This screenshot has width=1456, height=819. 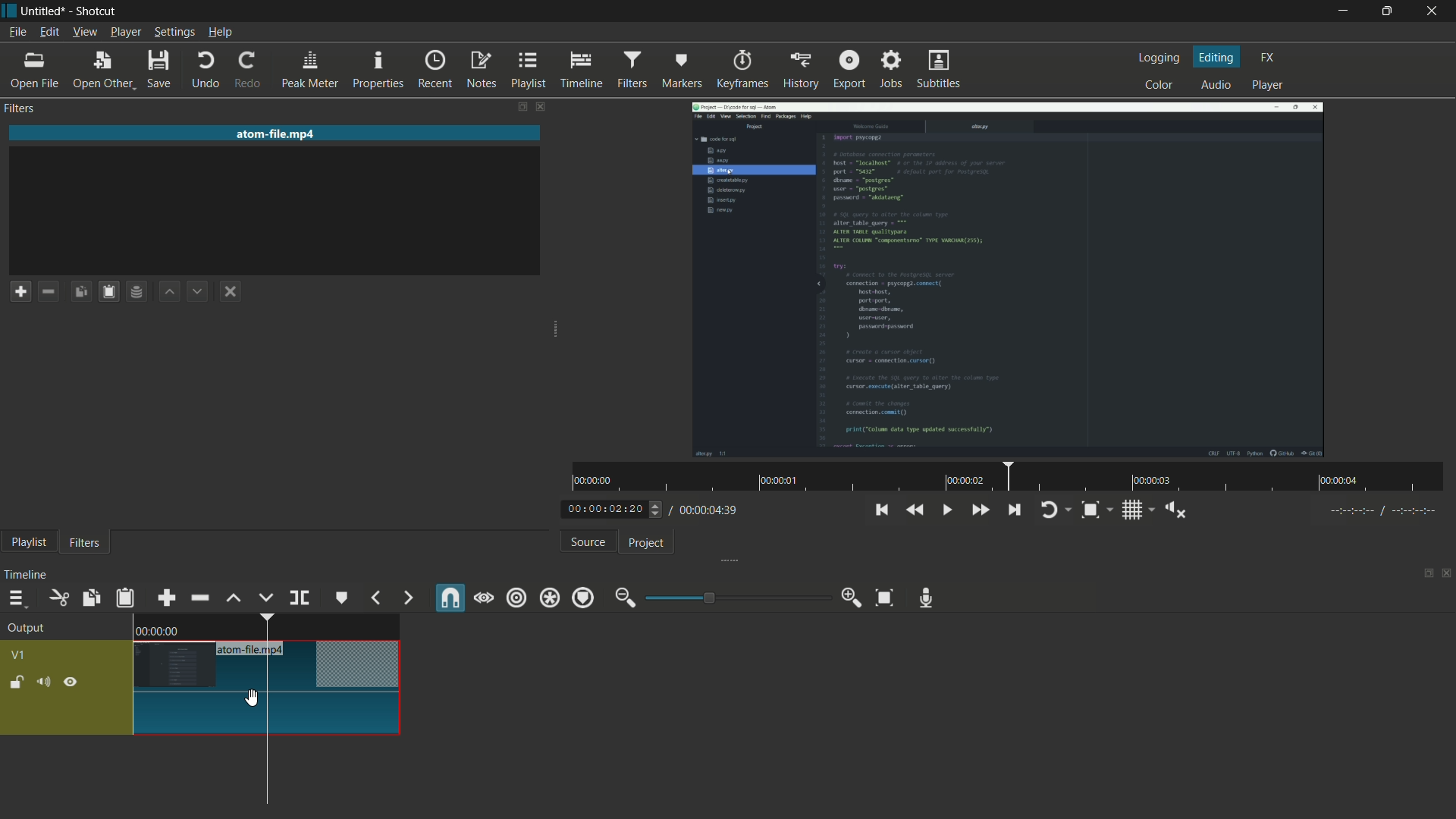 What do you see at coordinates (249, 70) in the screenshot?
I see `redo` at bounding box center [249, 70].